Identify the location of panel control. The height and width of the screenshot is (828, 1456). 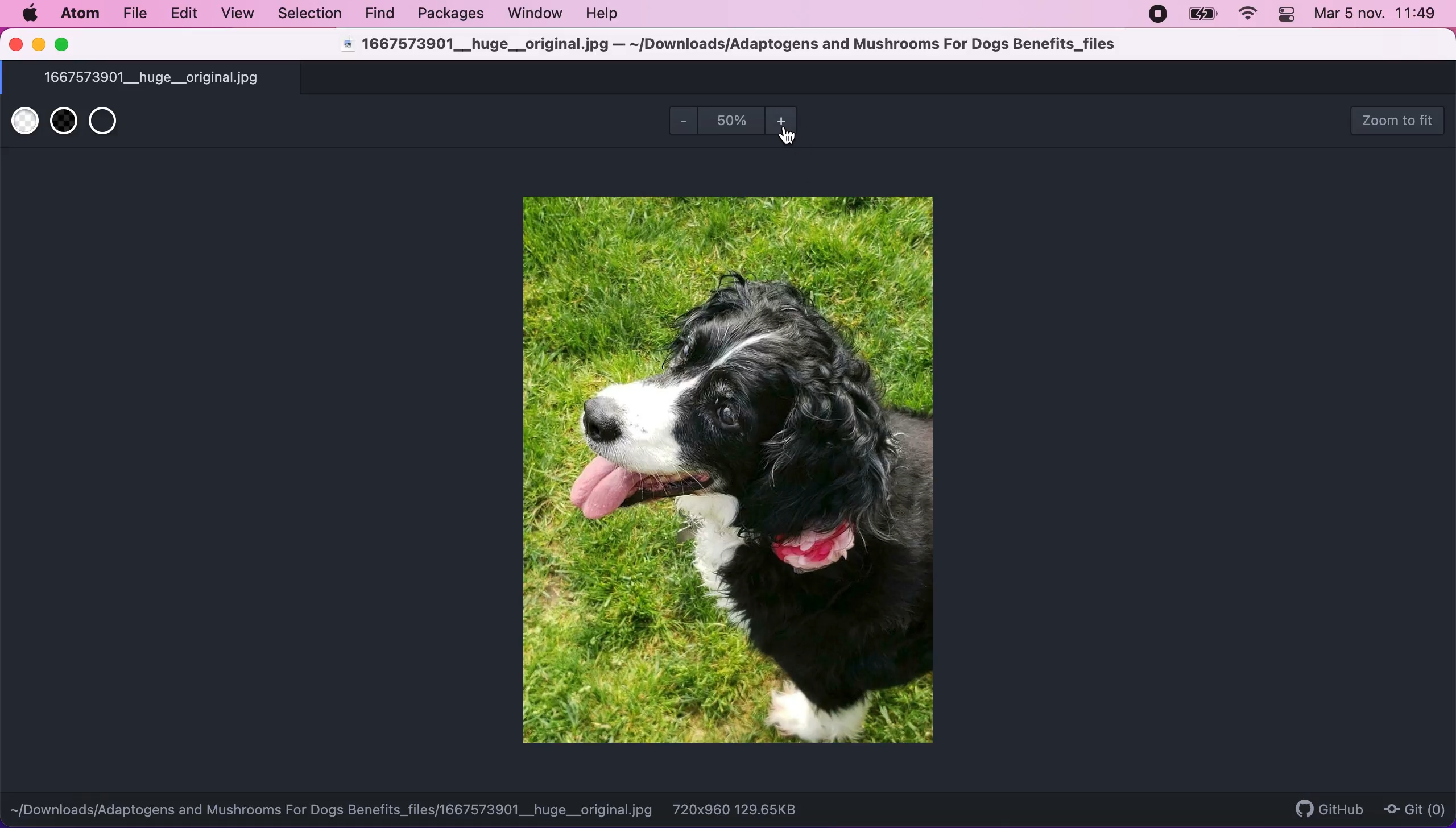
(1289, 16).